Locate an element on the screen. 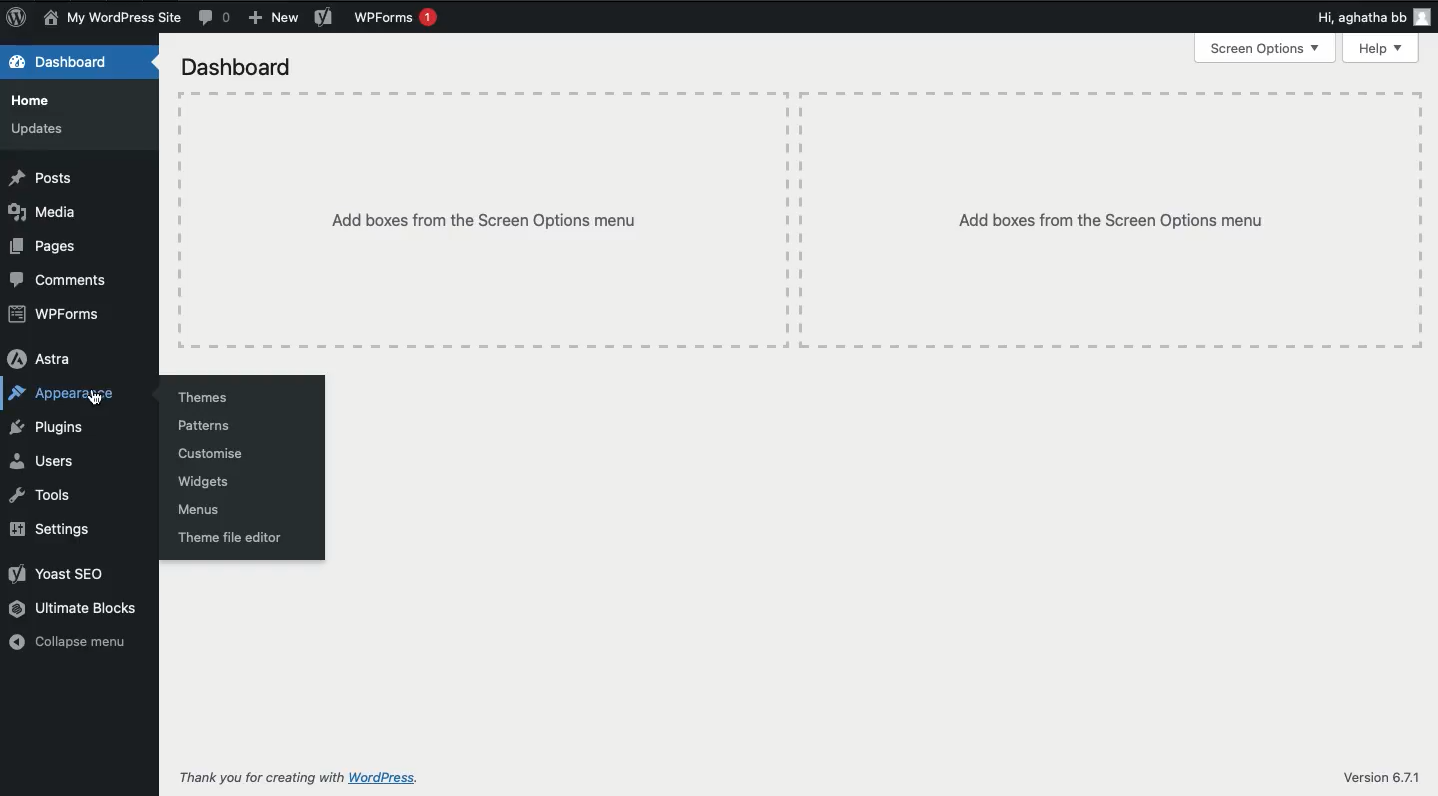  Theme file edits is located at coordinates (230, 537).